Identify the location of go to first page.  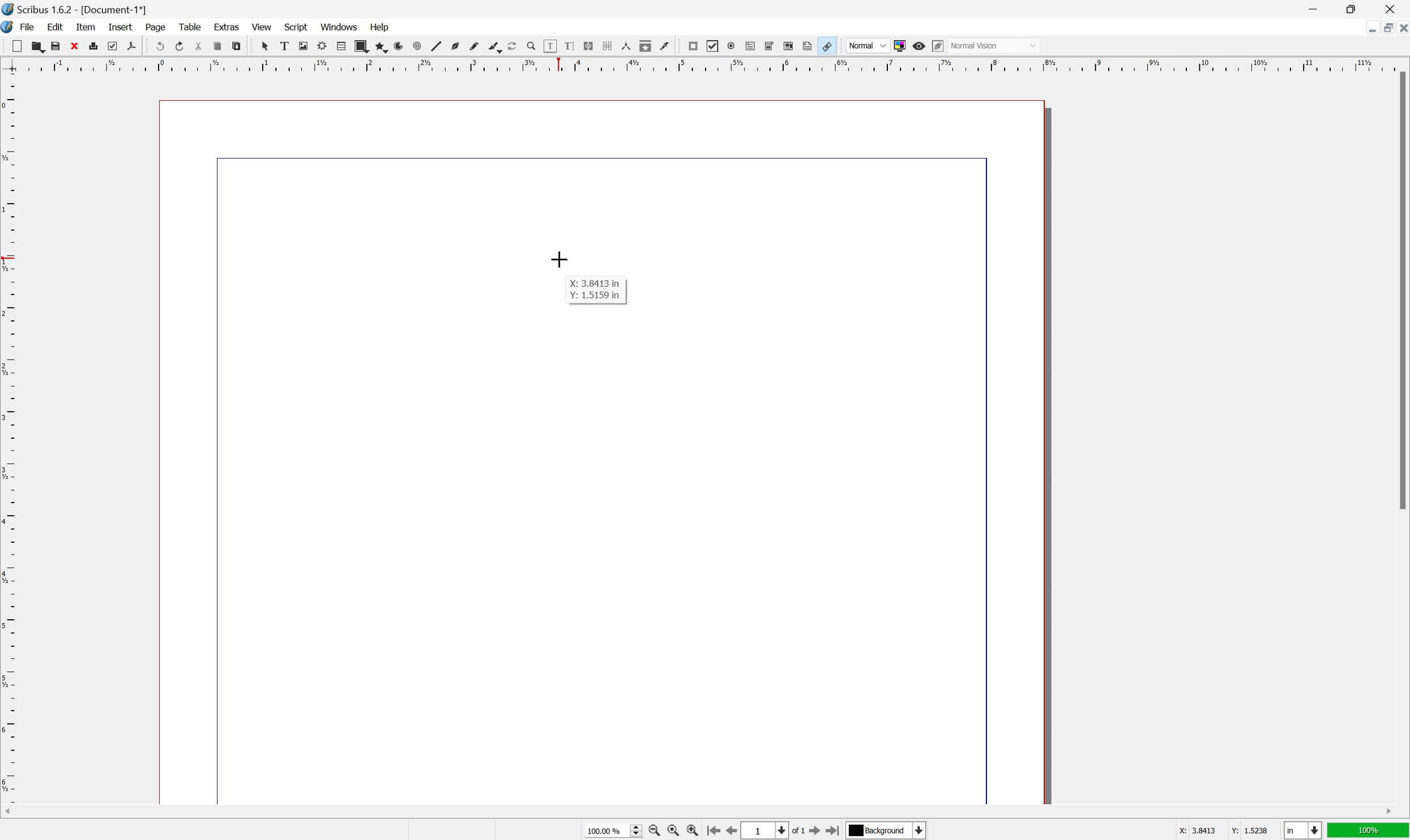
(713, 832).